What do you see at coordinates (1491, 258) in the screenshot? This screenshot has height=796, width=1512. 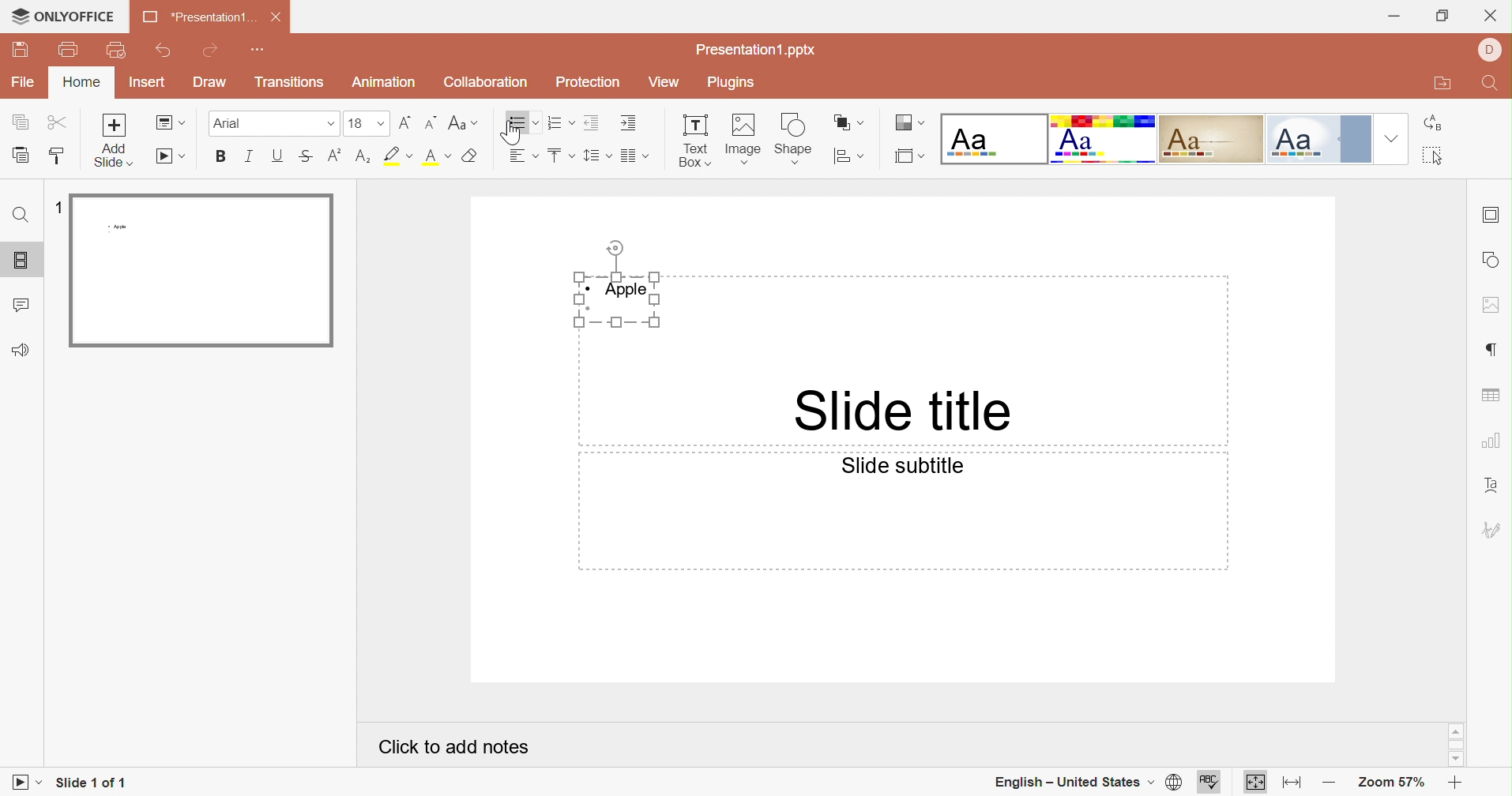 I see `shape settings` at bounding box center [1491, 258].